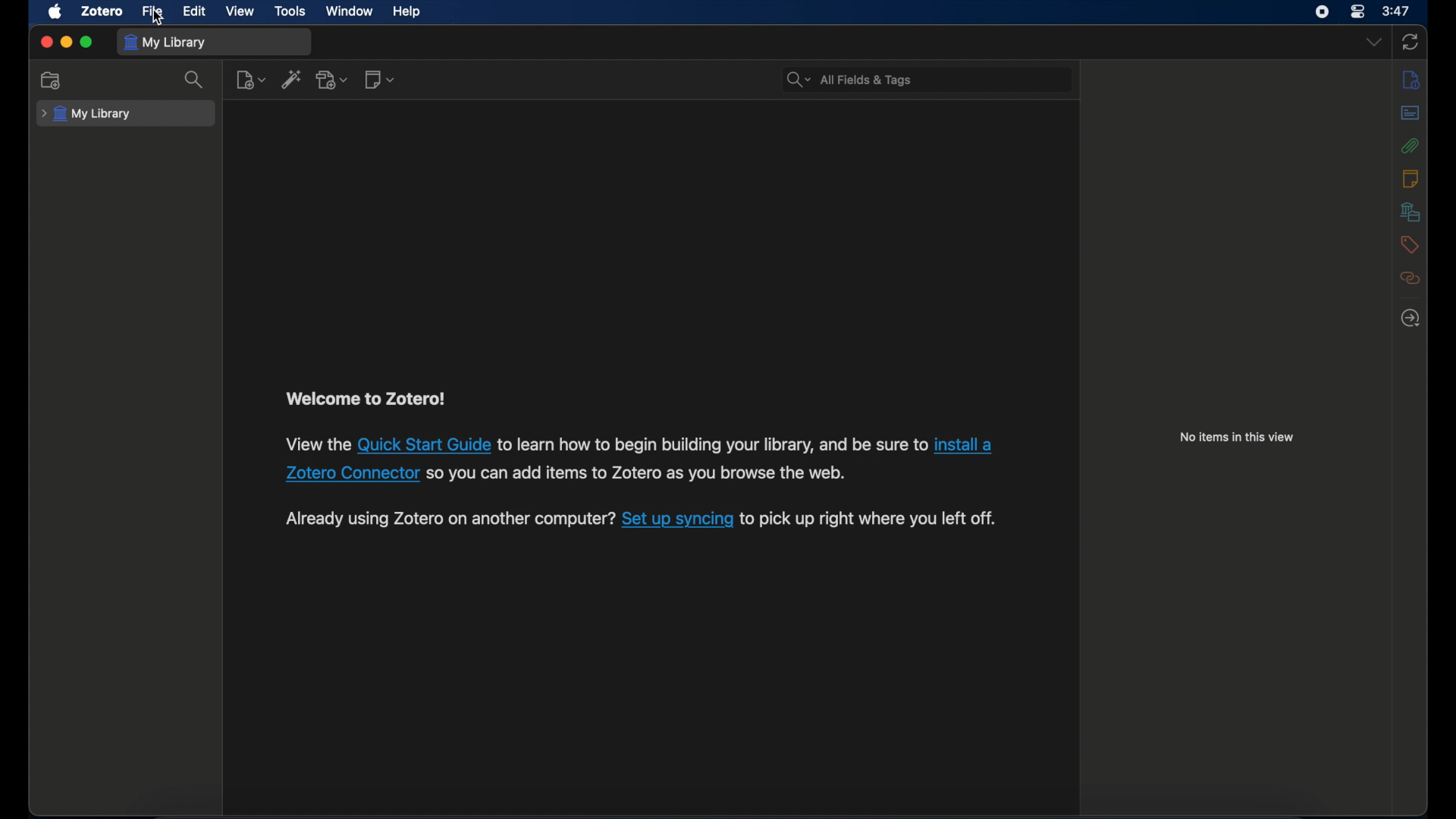 The image size is (1456, 819). I want to click on hyperlink, so click(967, 447).